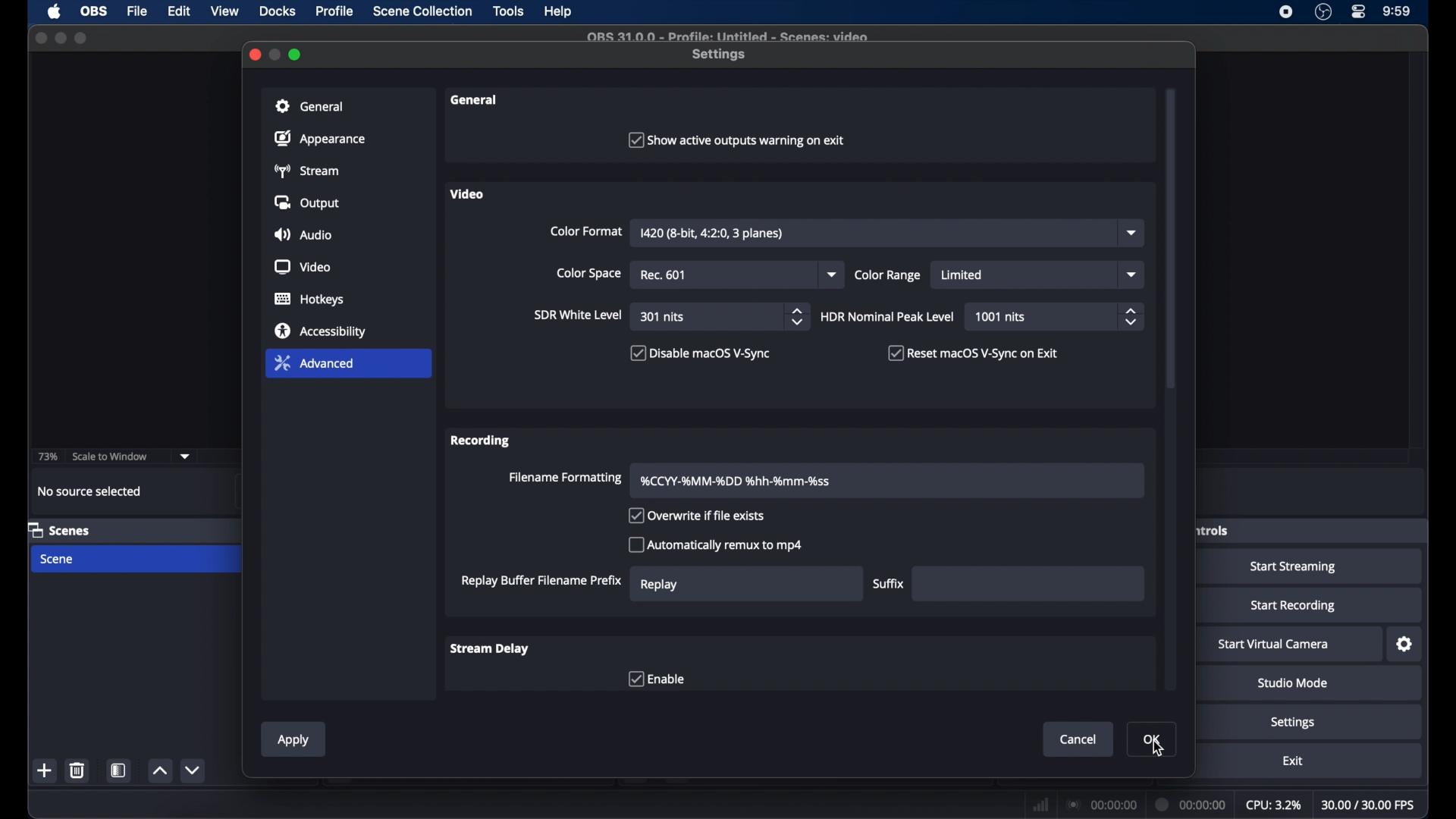 The height and width of the screenshot is (819, 1456). What do you see at coordinates (185, 455) in the screenshot?
I see `dropdown` at bounding box center [185, 455].